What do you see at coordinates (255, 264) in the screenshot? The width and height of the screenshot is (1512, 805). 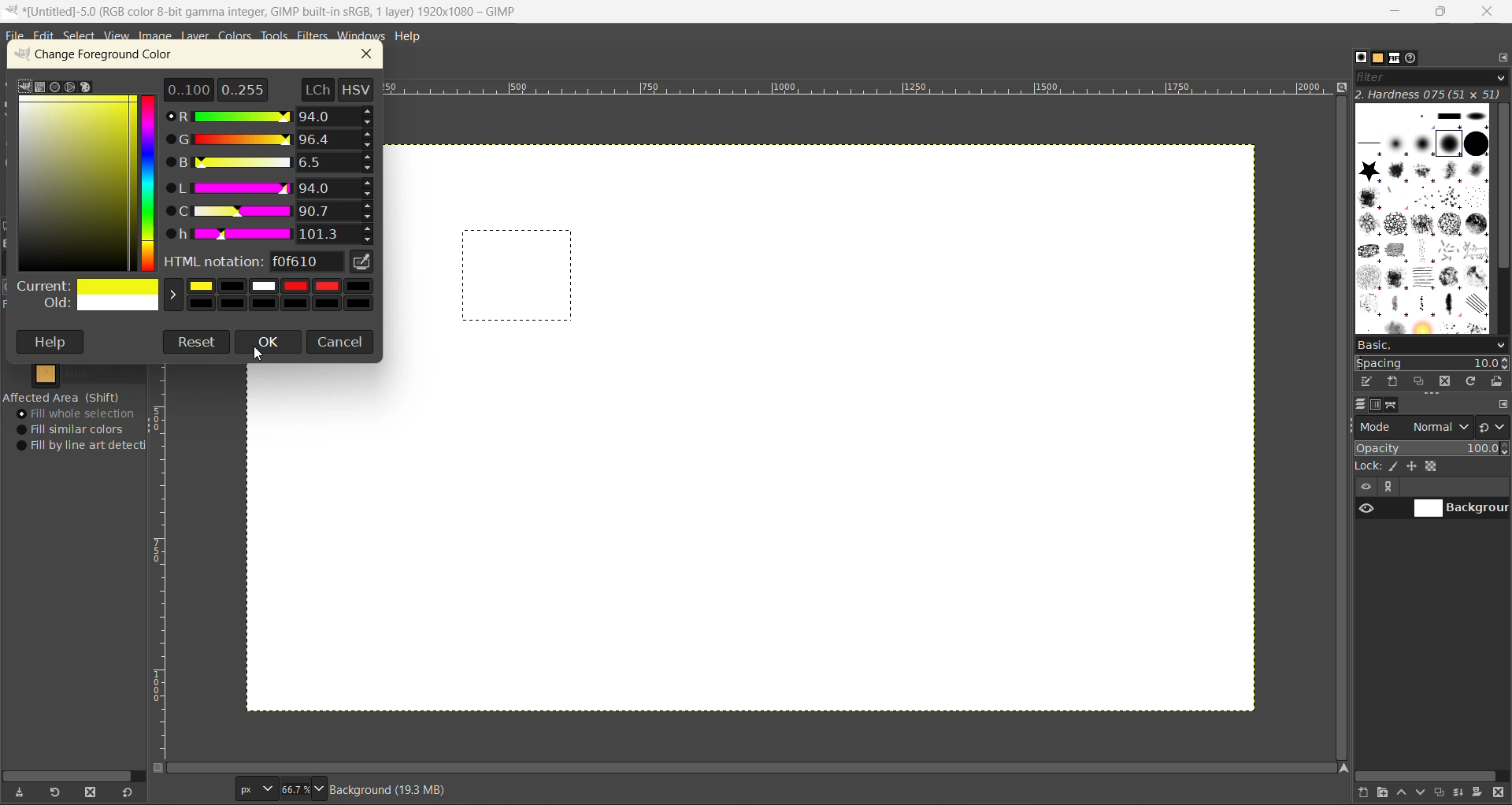 I see `html notation` at bounding box center [255, 264].